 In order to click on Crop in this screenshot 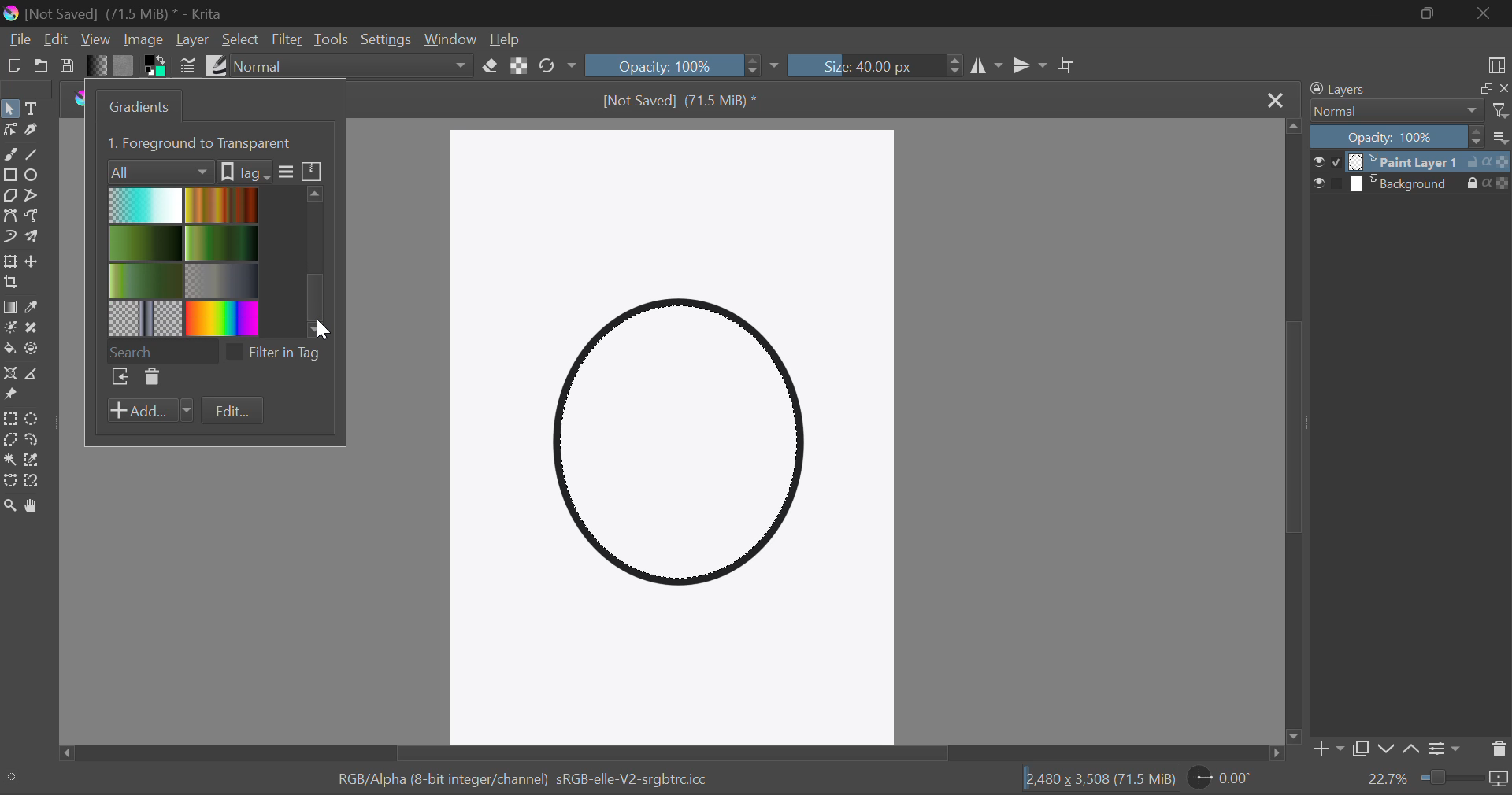, I will do `click(1067, 66)`.